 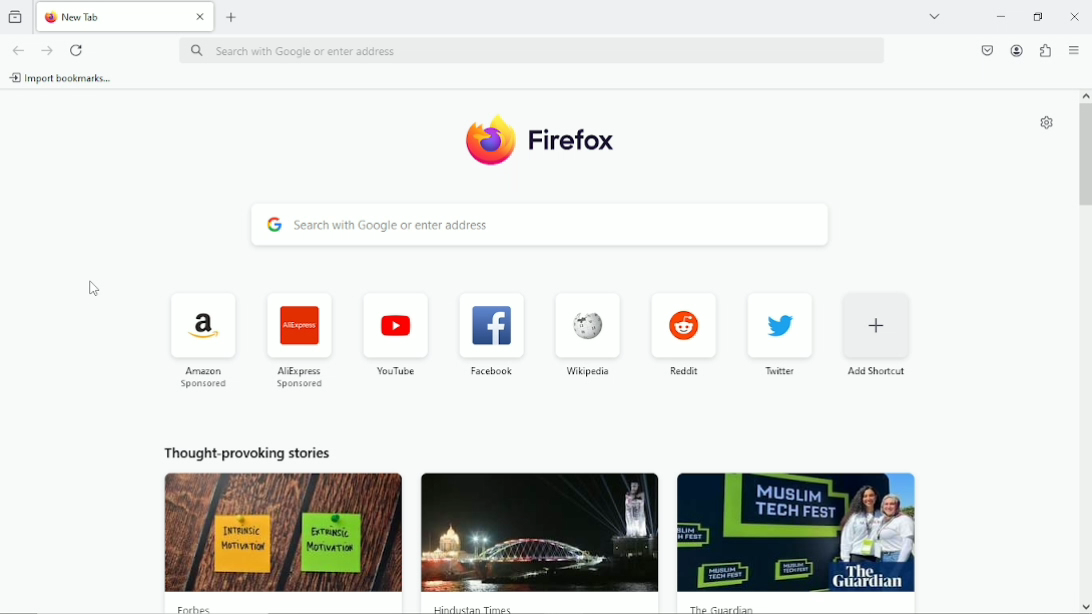 I want to click on import bookmarks, so click(x=68, y=78).